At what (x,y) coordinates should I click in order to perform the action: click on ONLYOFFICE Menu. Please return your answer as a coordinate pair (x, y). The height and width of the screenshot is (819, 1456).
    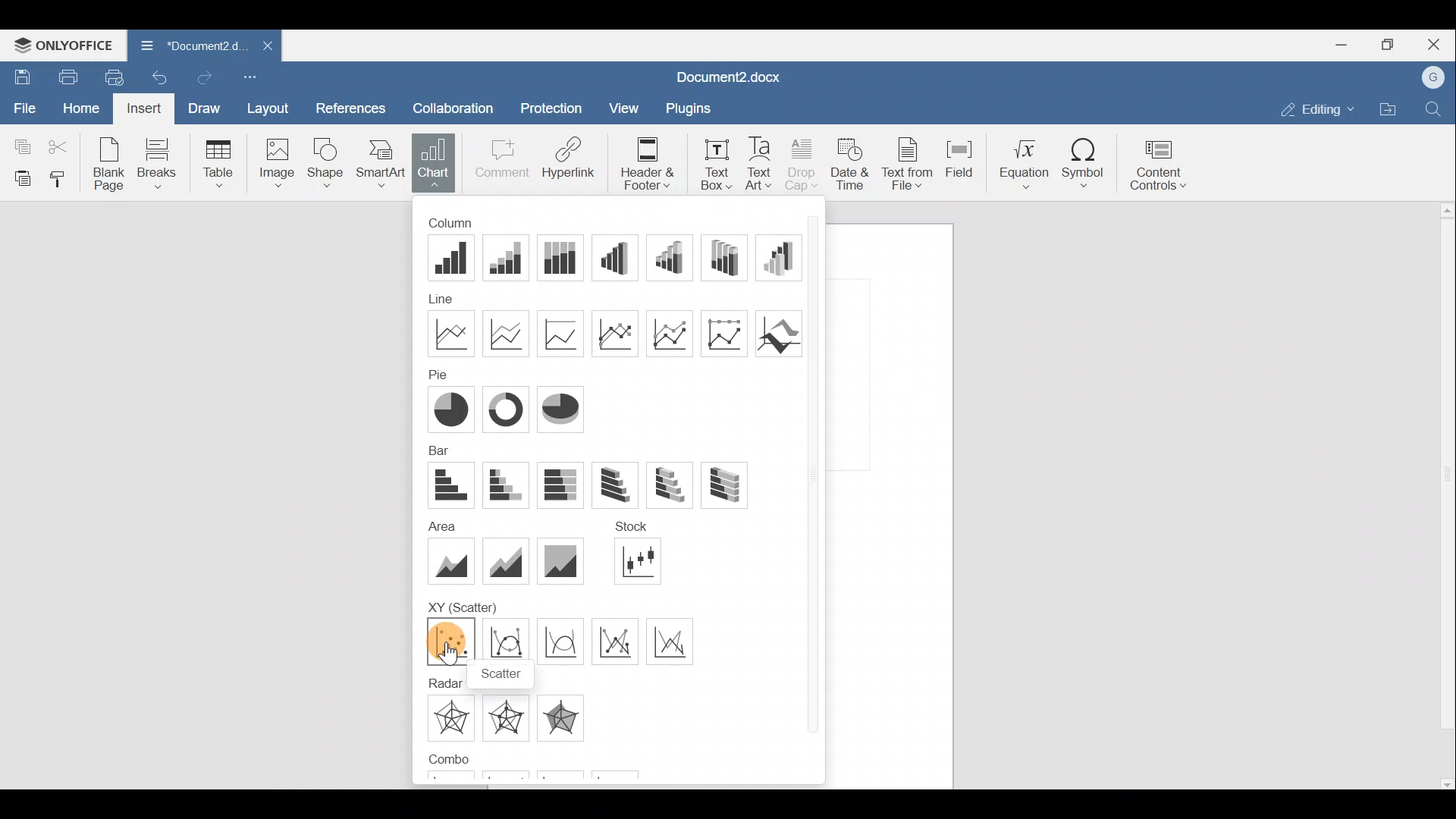
    Looking at the image, I should click on (62, 43).